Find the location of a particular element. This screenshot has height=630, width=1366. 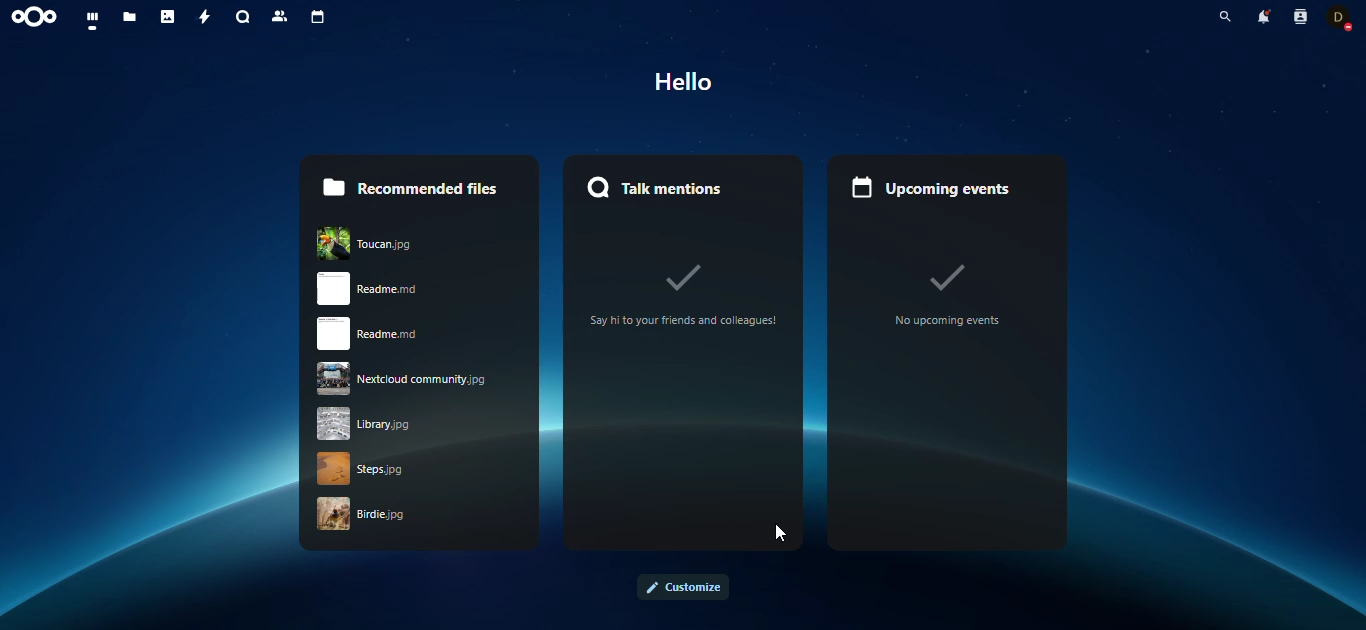

files is located at coordinates (132, 19).